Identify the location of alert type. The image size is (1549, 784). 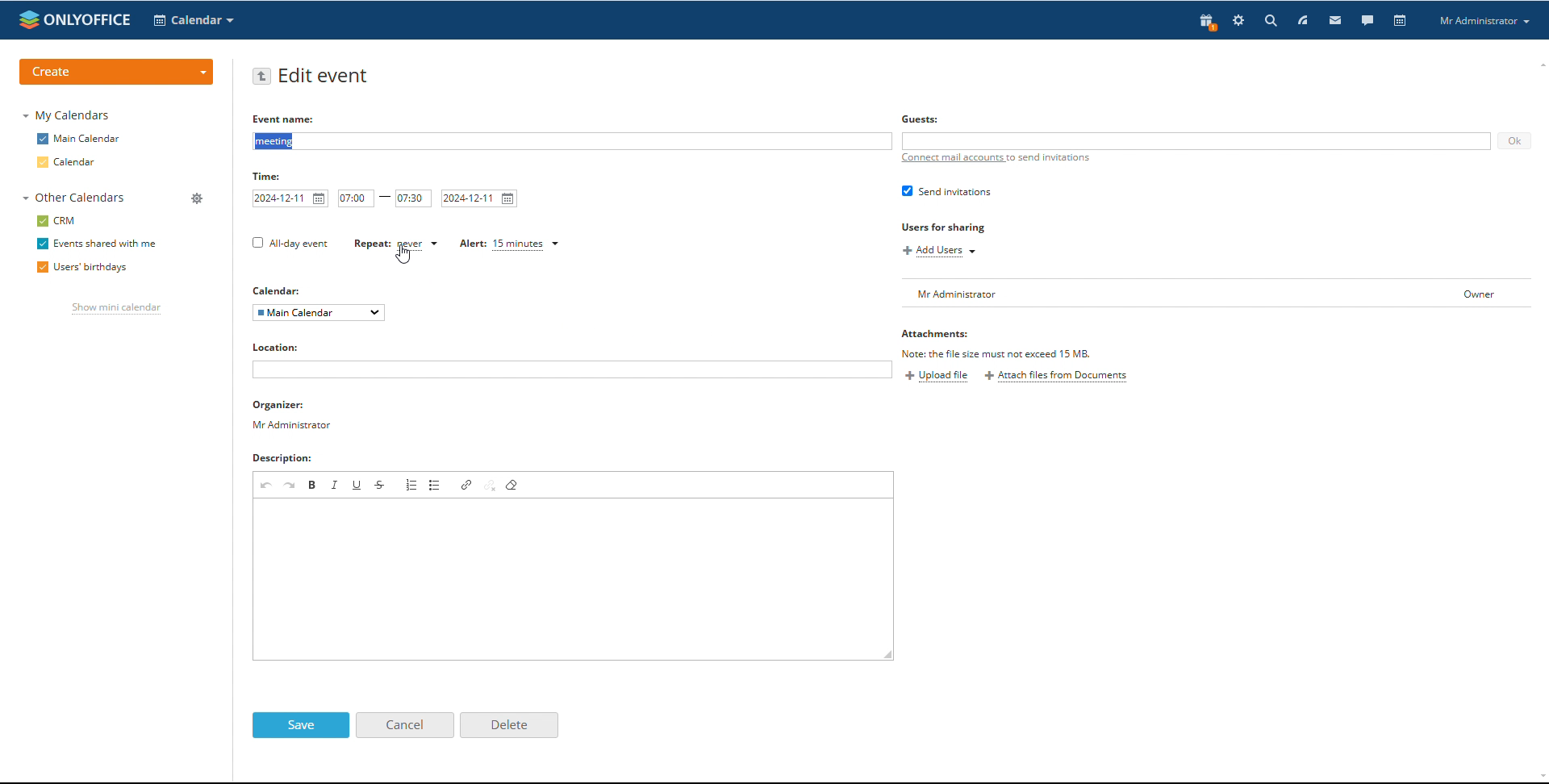
(509, 244).